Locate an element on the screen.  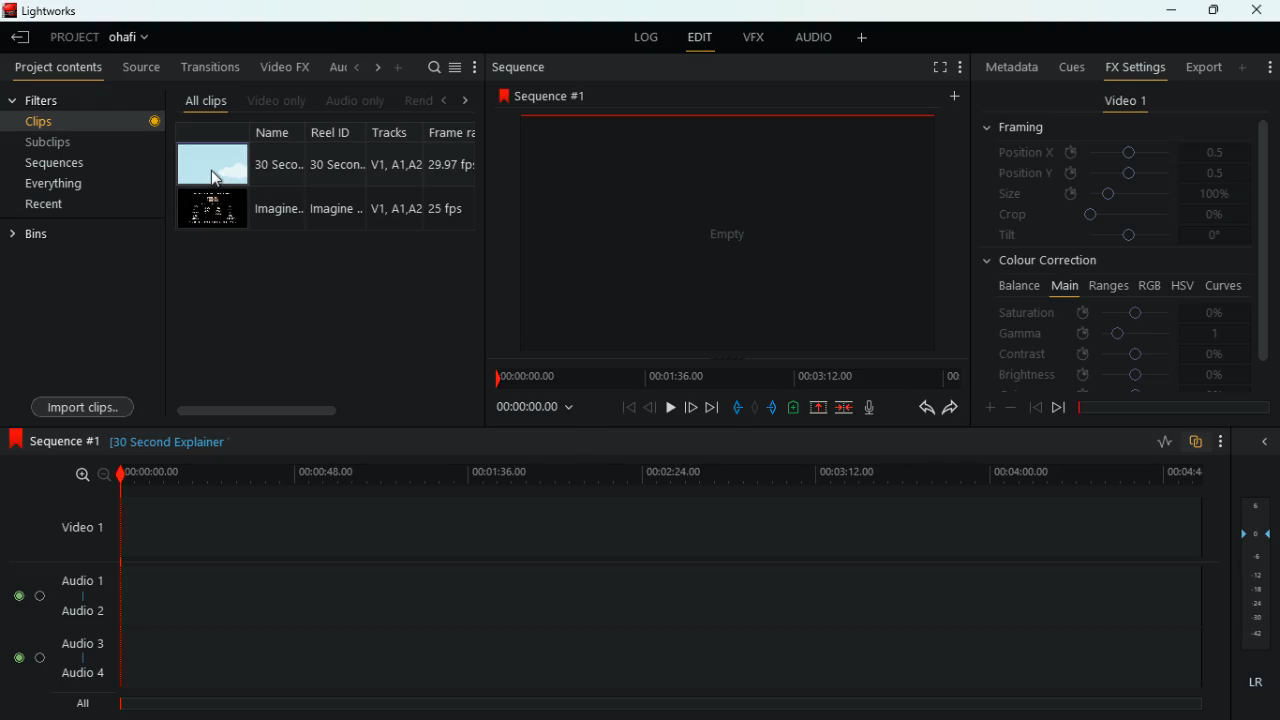
colour correction is located at coordinates (1045, 263).